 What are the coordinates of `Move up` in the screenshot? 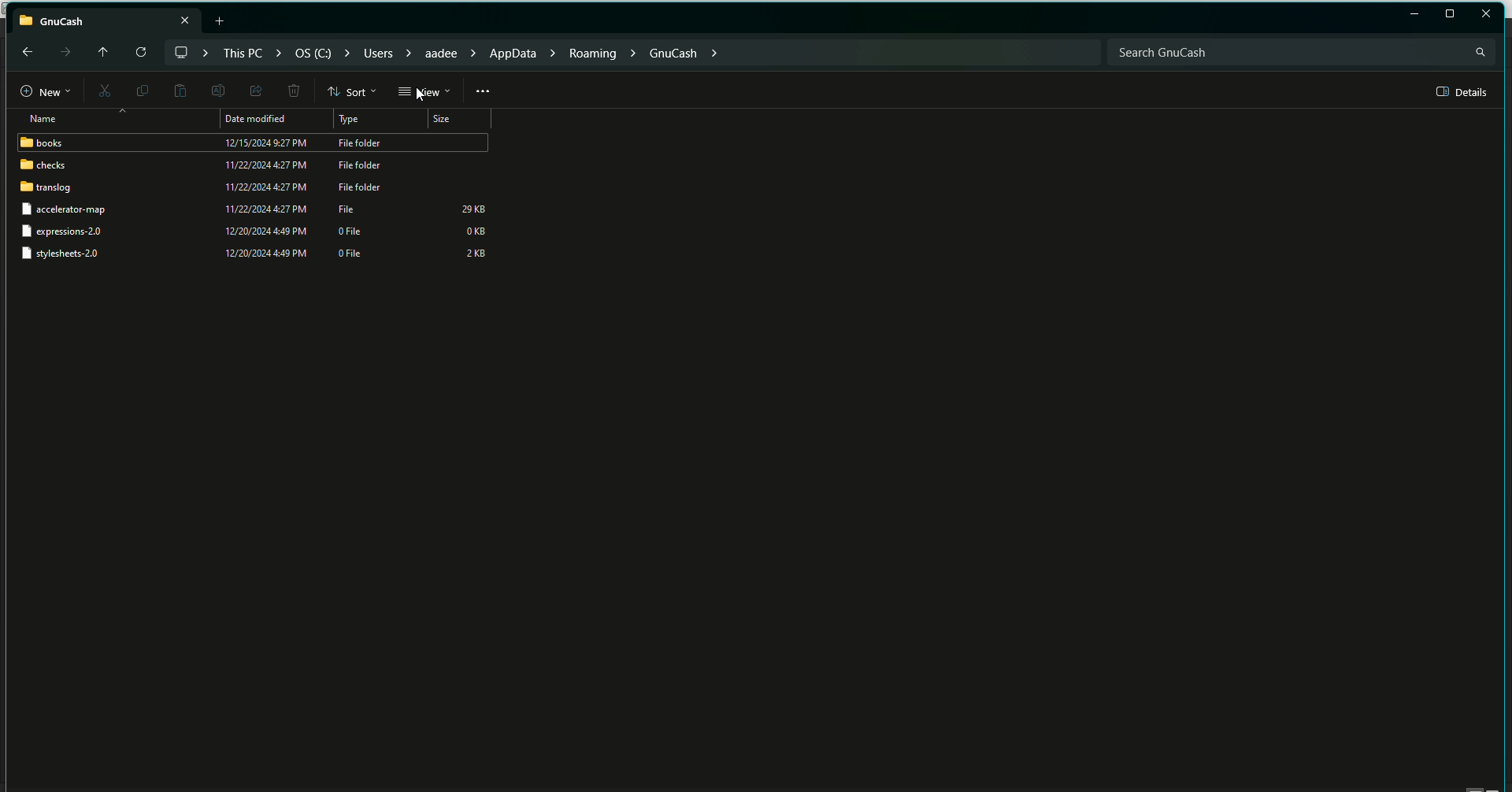 It's located at (99, 50).